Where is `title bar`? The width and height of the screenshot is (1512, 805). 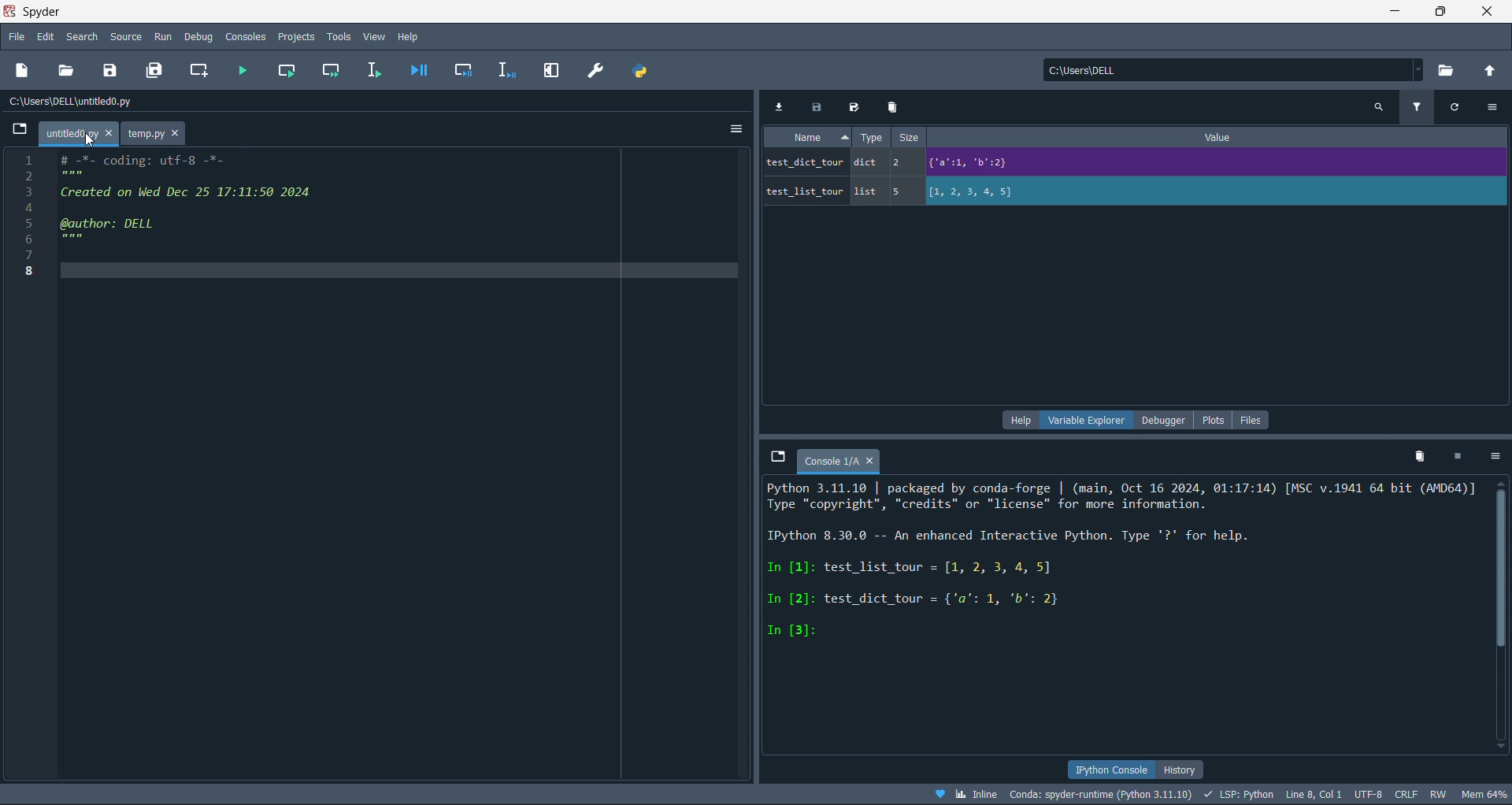
title bar is located at coordinates (46, 11).